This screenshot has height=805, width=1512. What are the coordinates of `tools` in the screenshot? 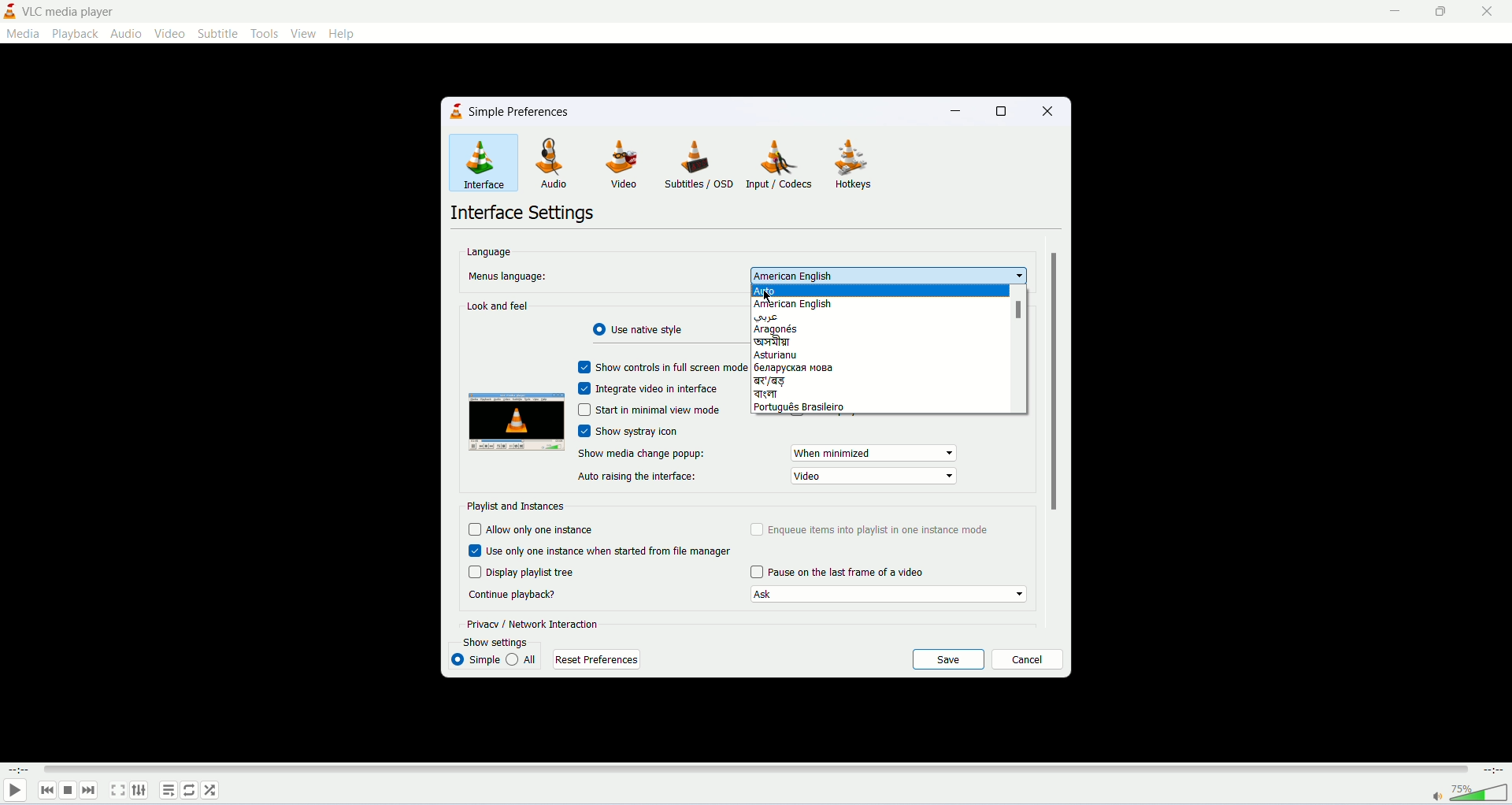 It's located at (265, 35).